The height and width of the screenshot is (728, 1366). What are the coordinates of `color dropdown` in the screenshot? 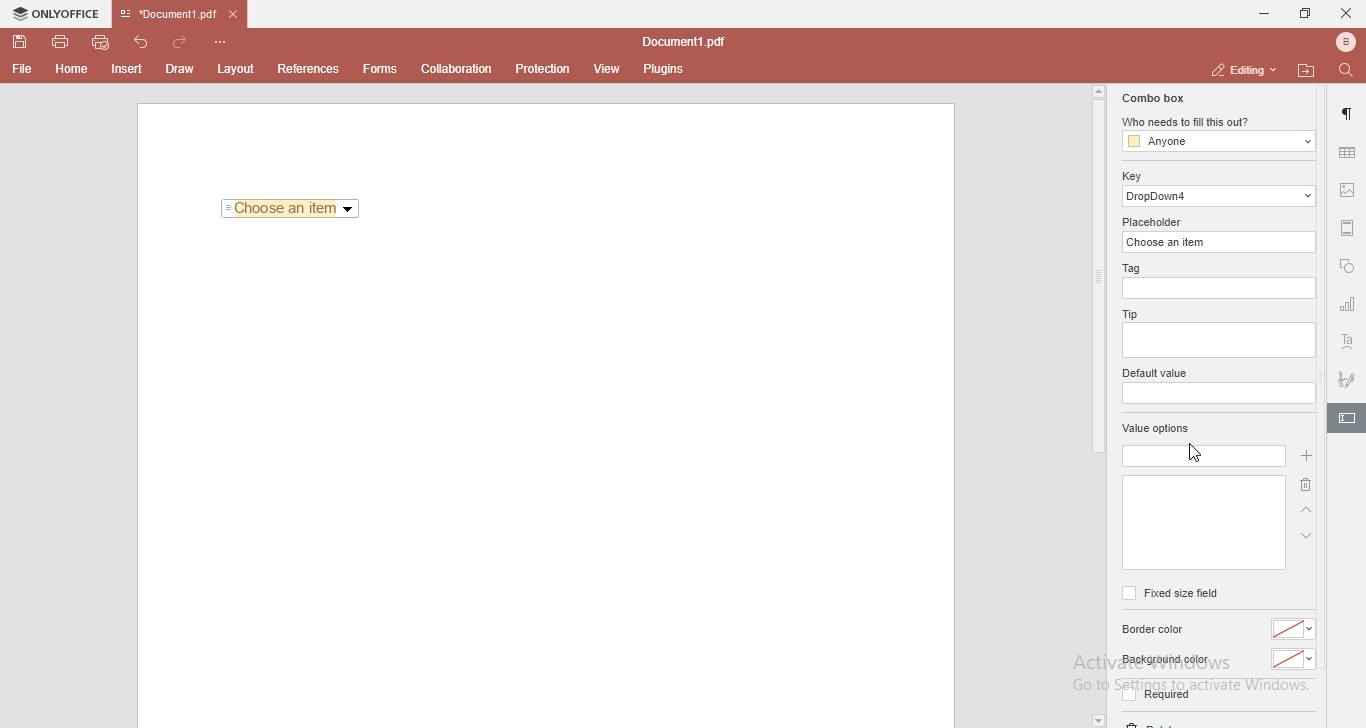 It's located at (1296, 629).